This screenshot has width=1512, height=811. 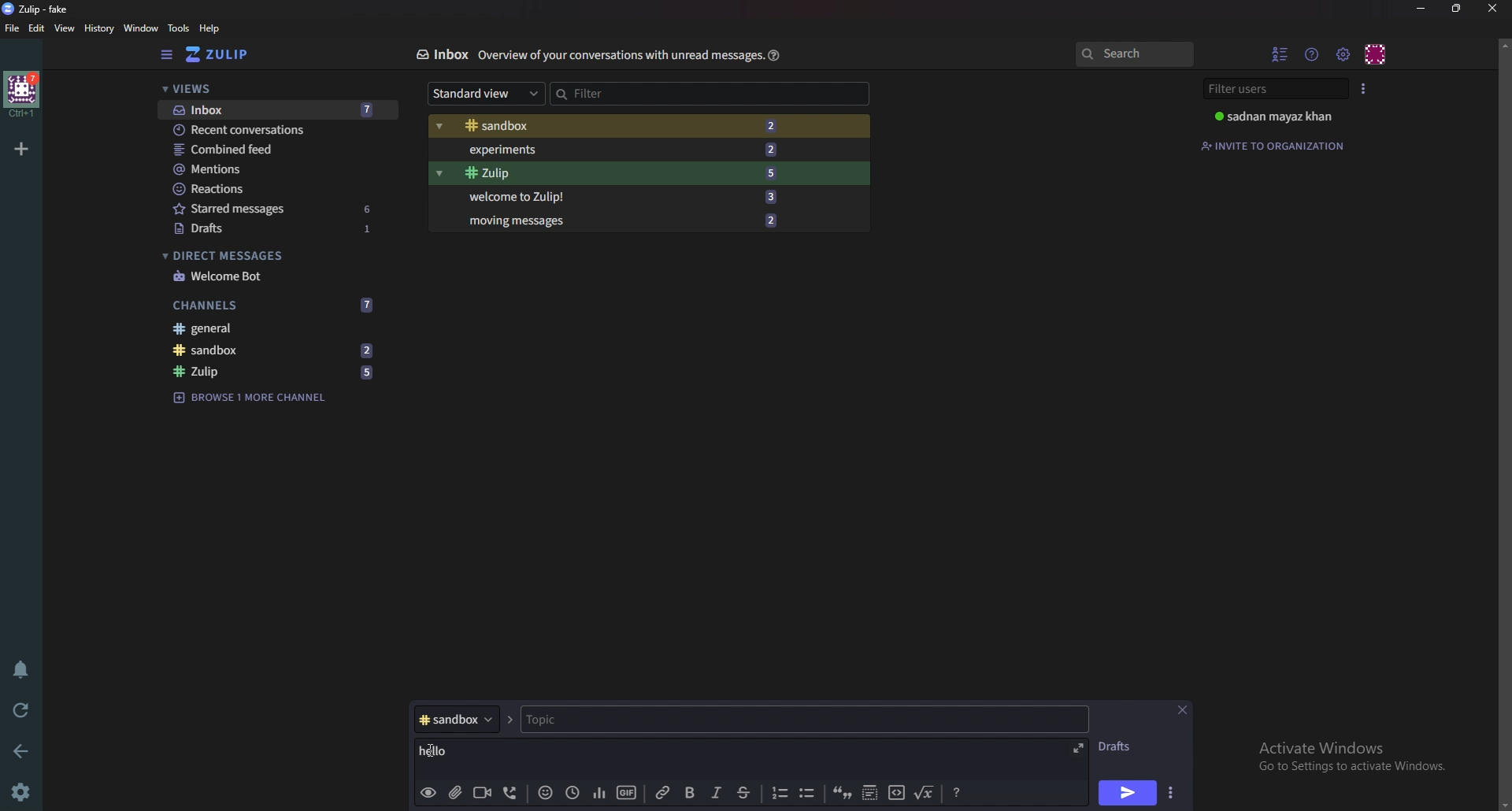 What do you see at coordinates (599, 720) in the screenshot?
I see `Topic` at bounding box center [599, 720].